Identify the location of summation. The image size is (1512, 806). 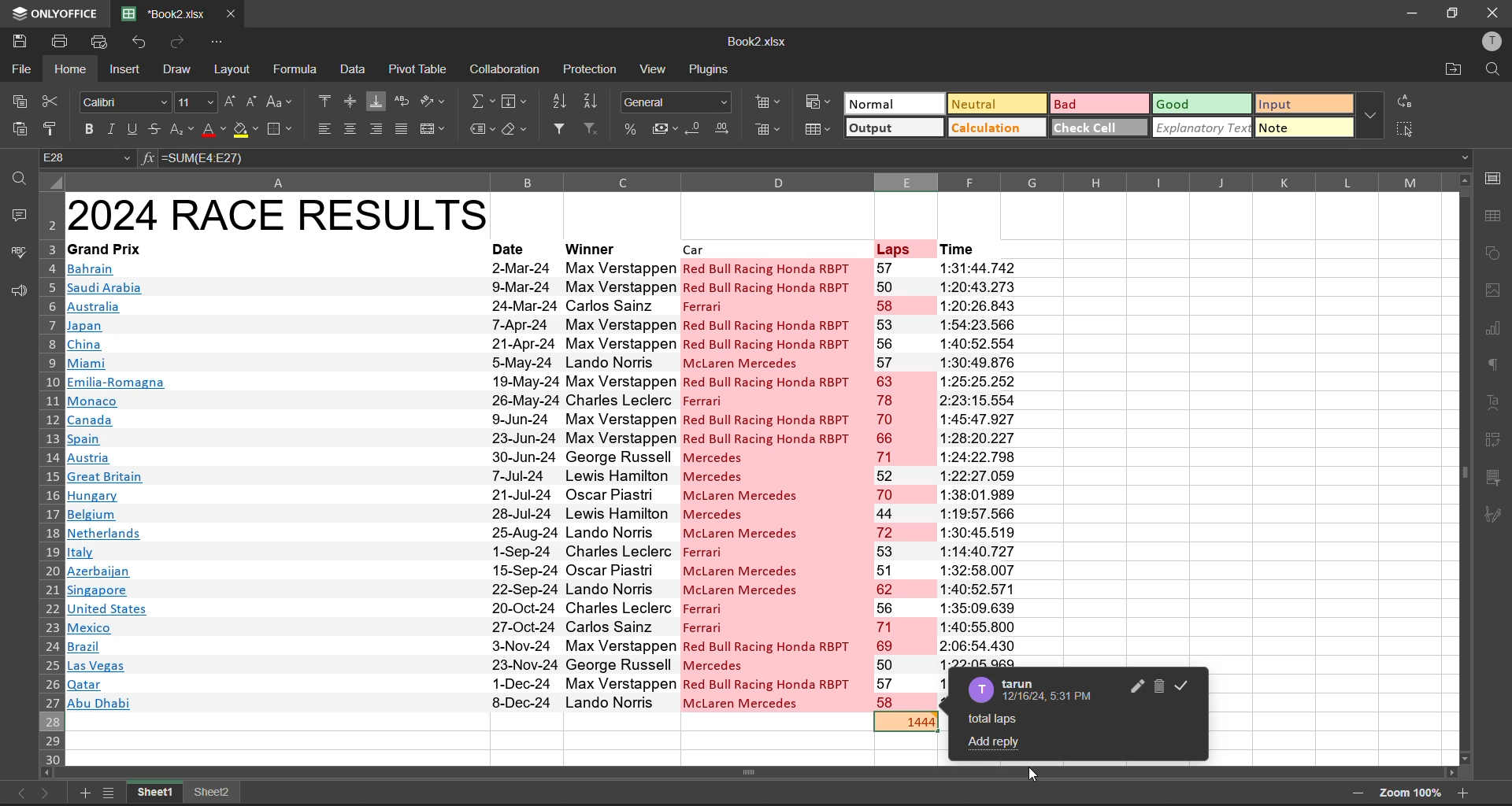
(482, 102).